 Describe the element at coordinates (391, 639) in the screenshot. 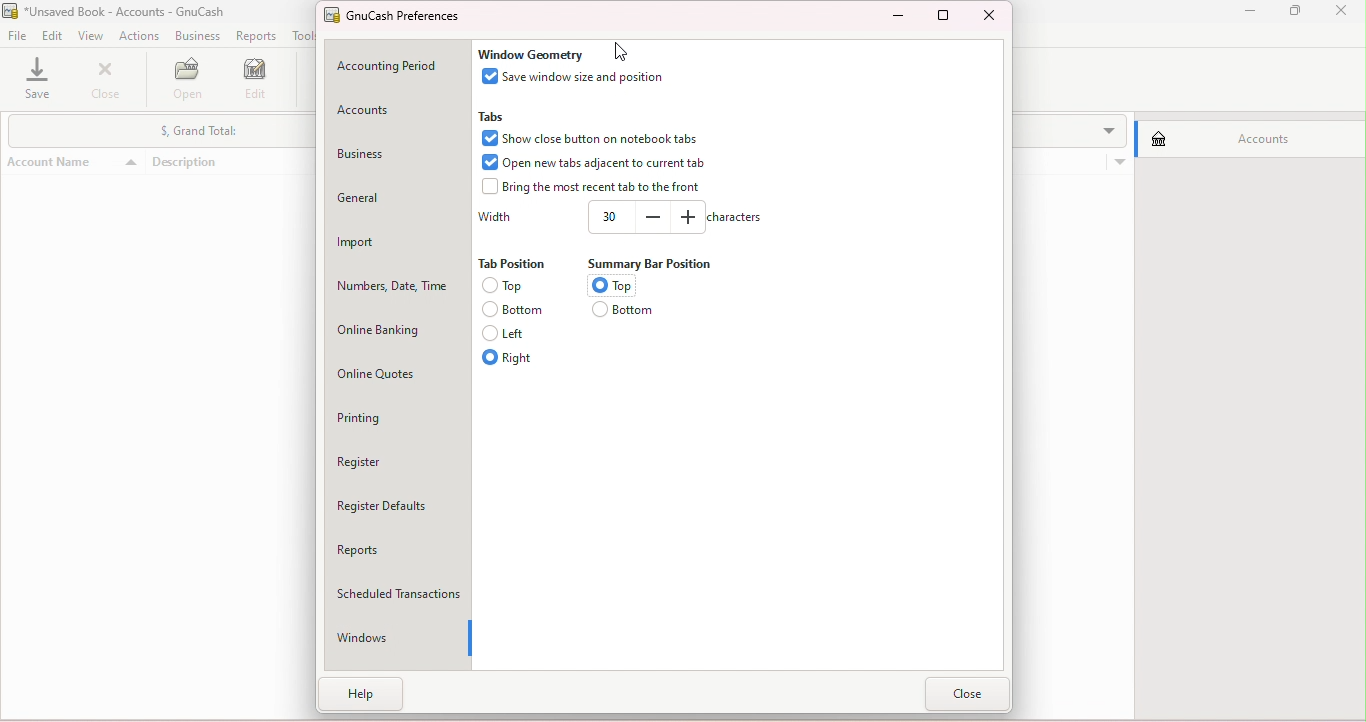

I see `Windows` at that location.